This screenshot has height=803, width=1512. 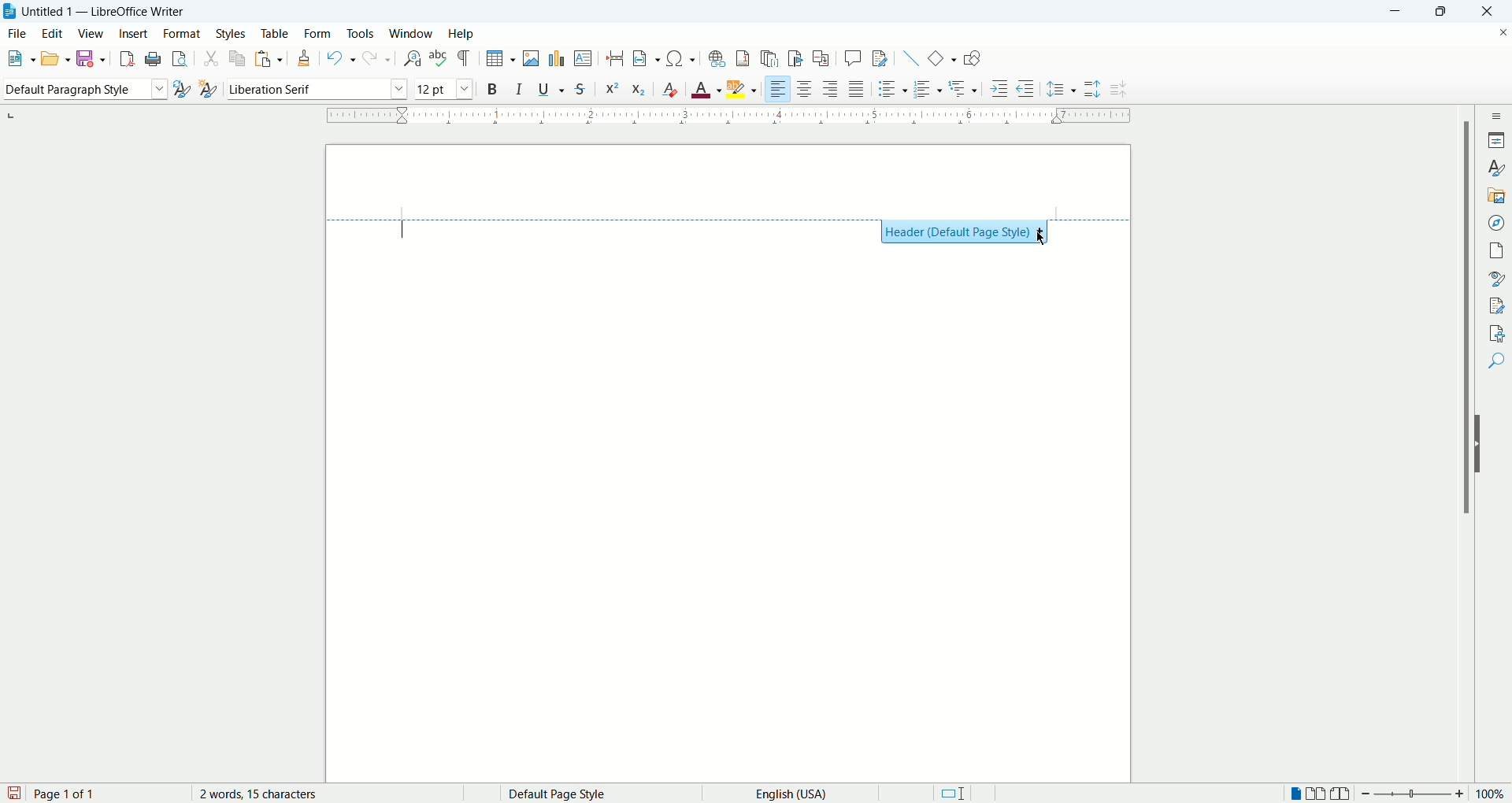 I want to click on tools, so click(x=361, y=34).